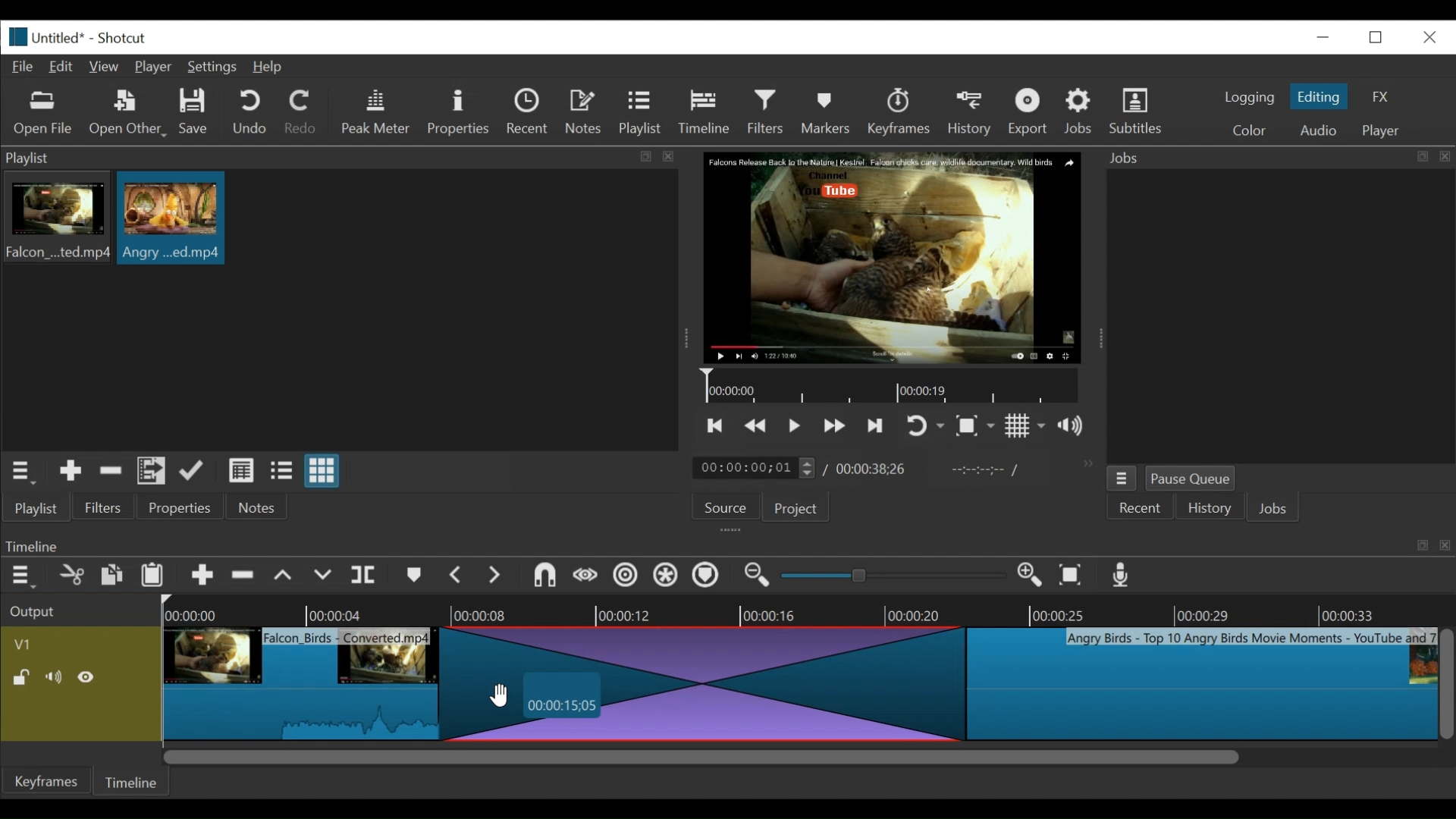 The image size is (1456, 819). Describe the element at coordinates (890, 257) in the screenshot. I see `media viewer` at that location.